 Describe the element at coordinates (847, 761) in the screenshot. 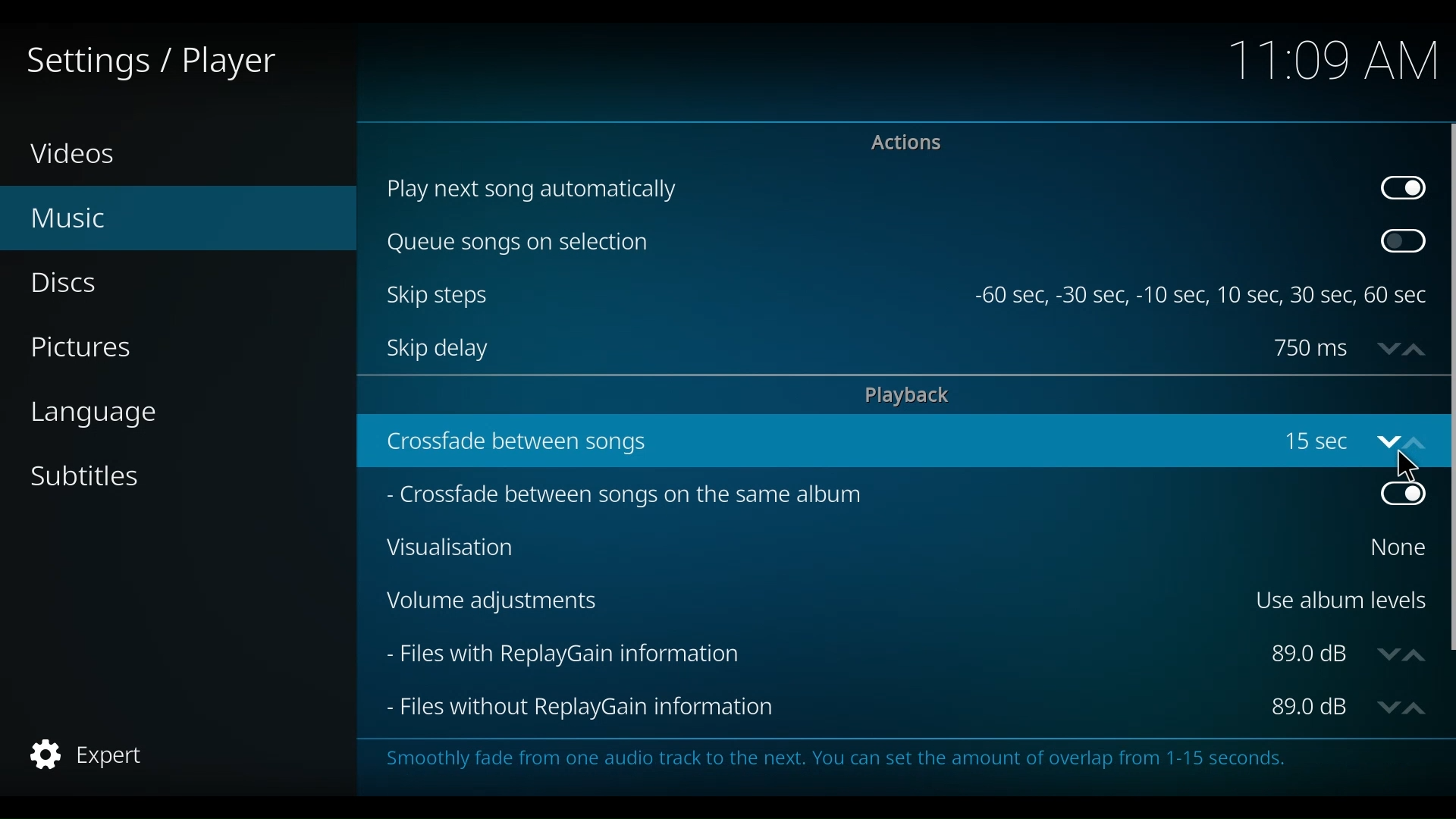

I see `Smoothly fade from one audio track to the next. You can set the amount of overlap from 1-15 seconds.` at that location.